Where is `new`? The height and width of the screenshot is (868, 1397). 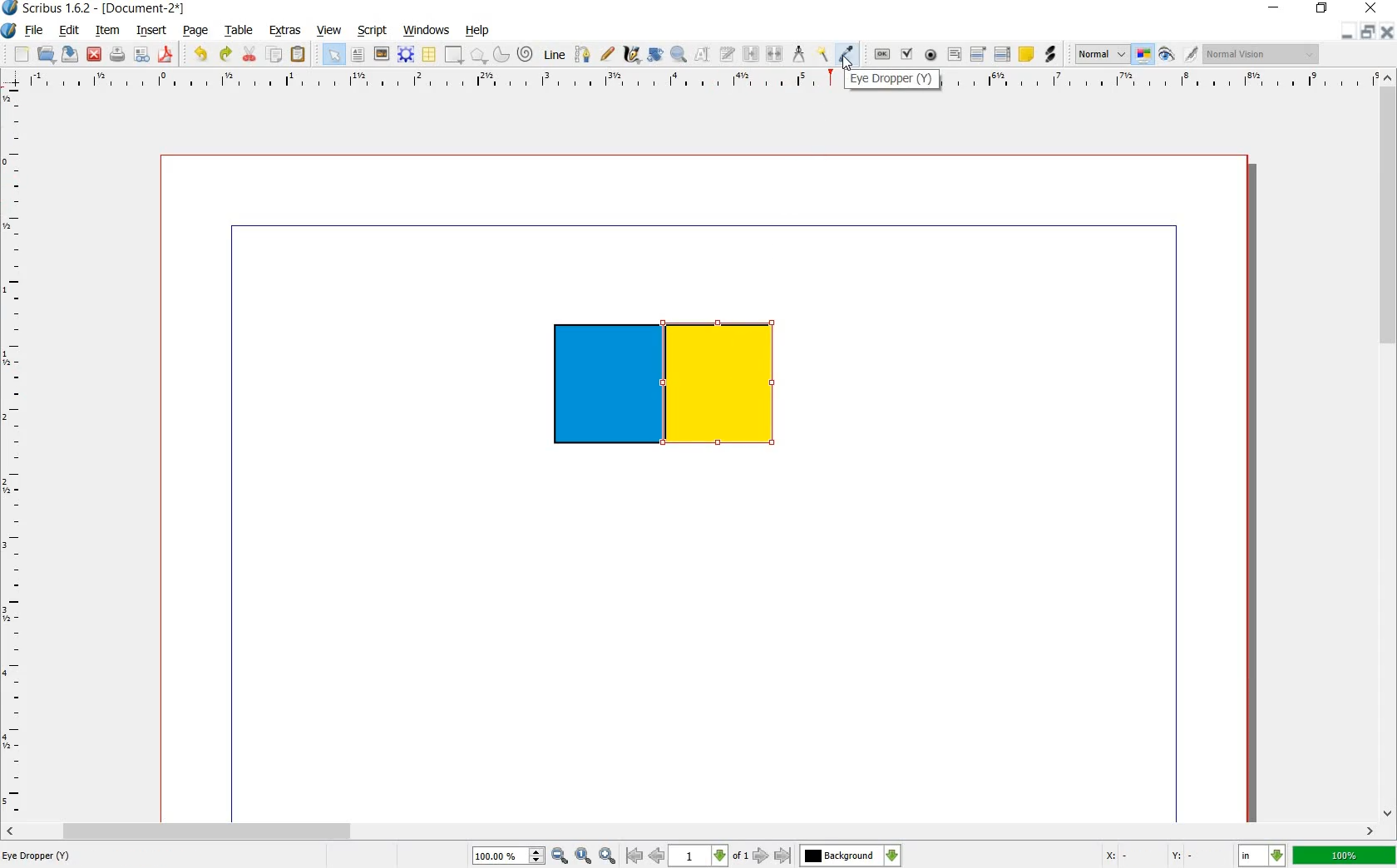
new is located at coordinates (21, 55).